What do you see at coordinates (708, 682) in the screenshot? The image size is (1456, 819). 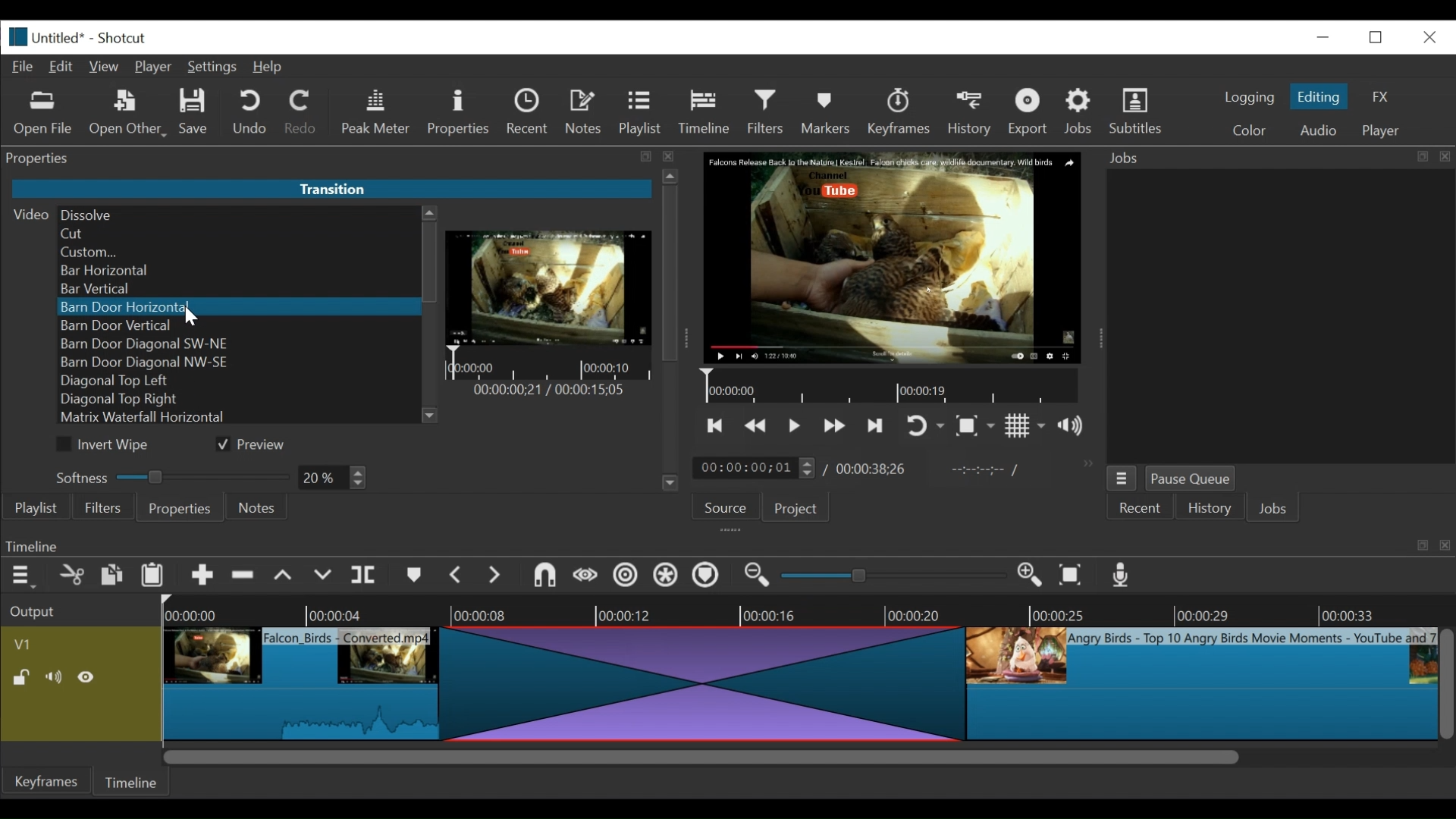 I see `transition` at bounding box center [708, 682].